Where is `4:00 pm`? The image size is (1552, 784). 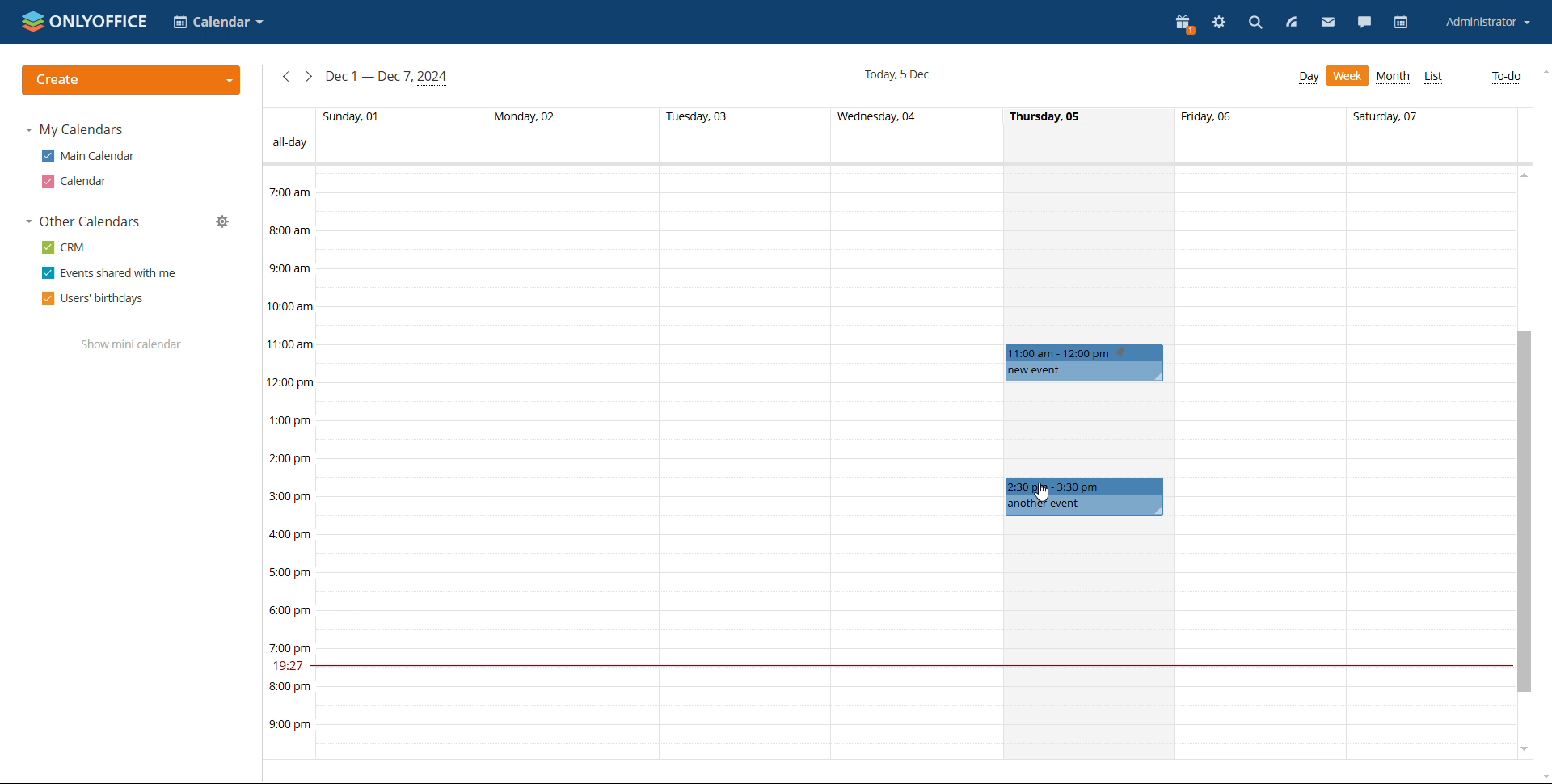 4:00 pm is located at coordinates (290, 534).